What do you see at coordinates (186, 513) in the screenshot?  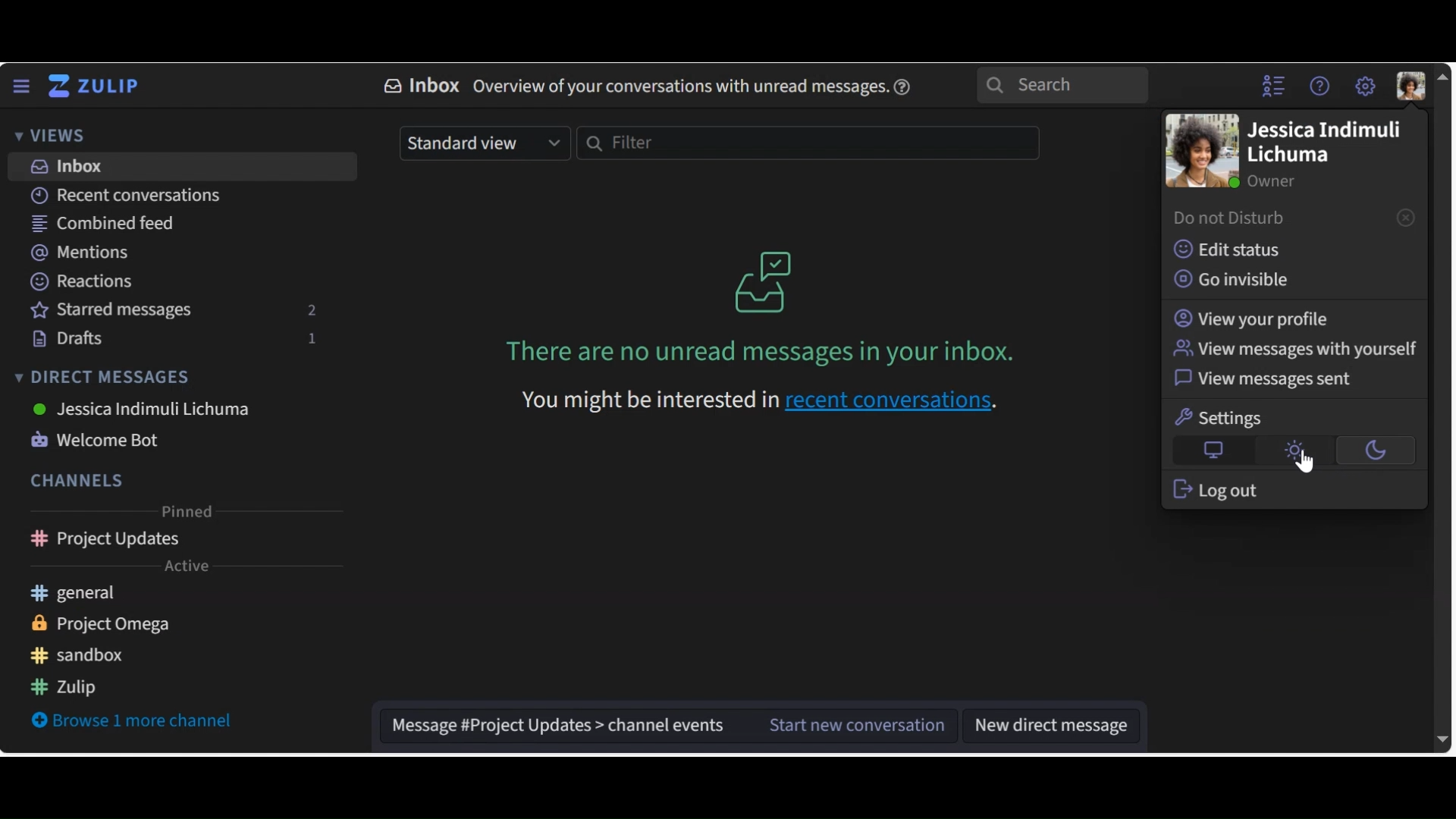 I see `Pinned` at bounding box center [186, 513].